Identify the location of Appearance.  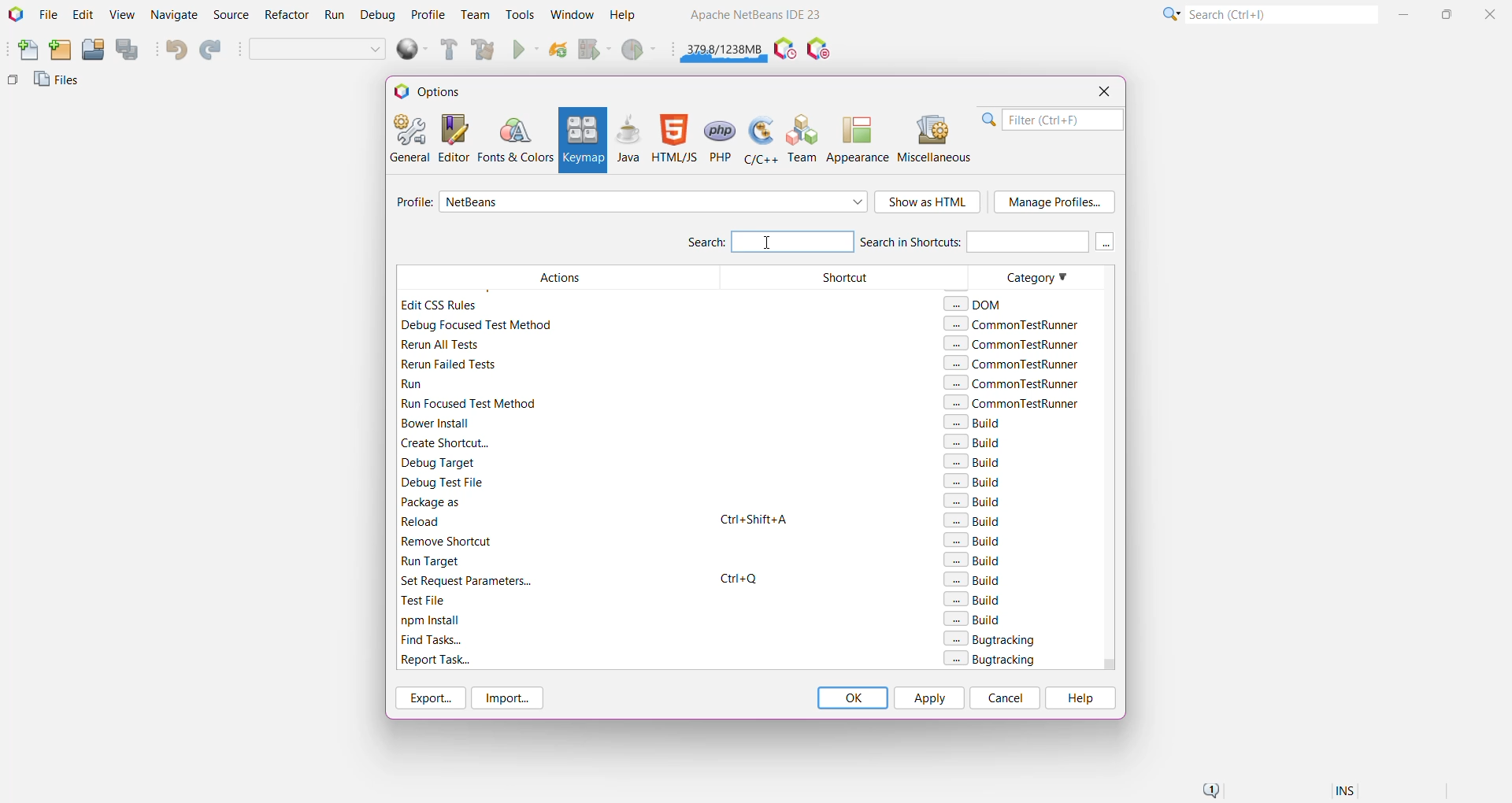
(858, 139).